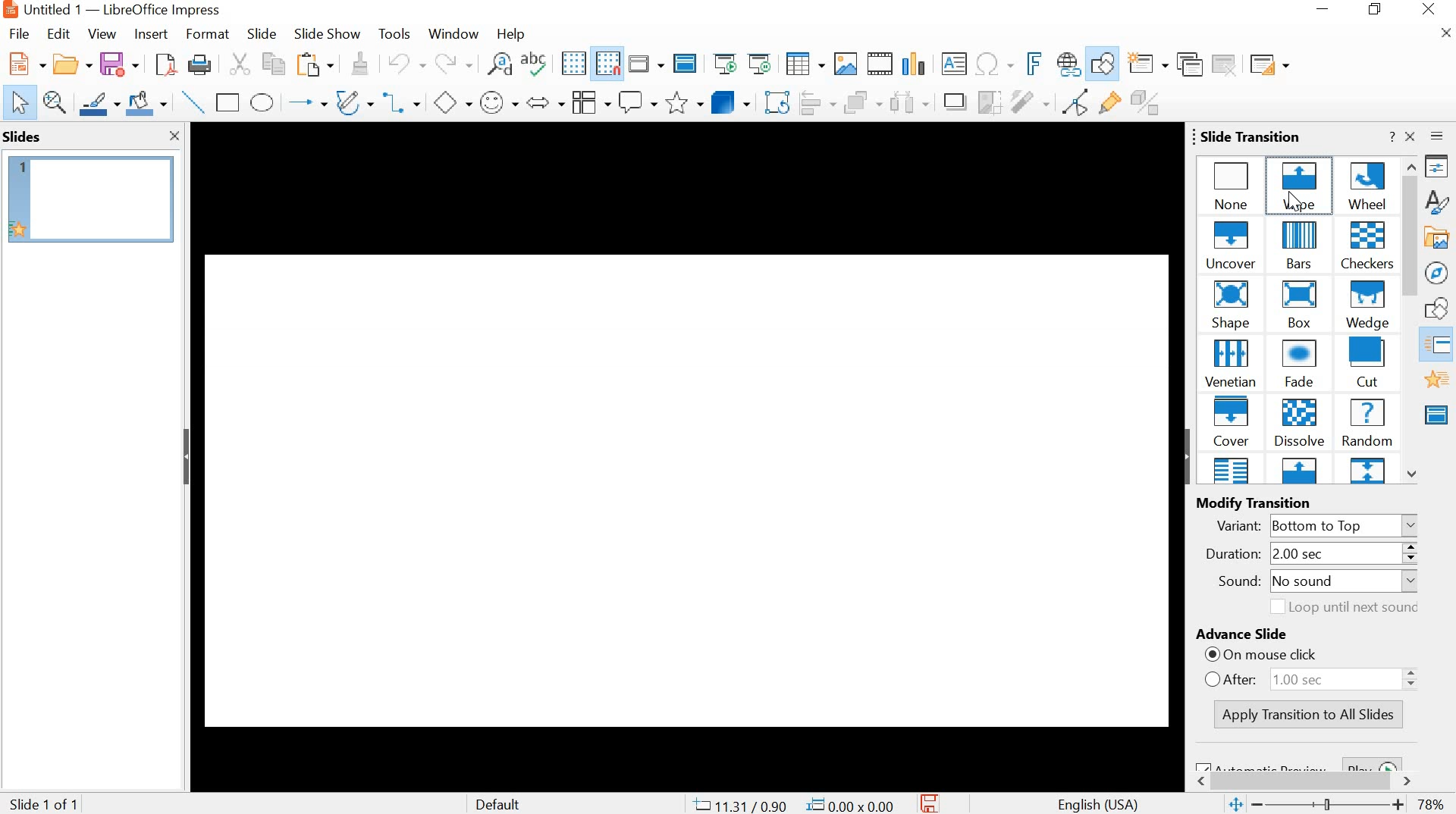 The height and width of the screenshot is (814, 1456). I want to click on TOOLS, so click(396, 33).